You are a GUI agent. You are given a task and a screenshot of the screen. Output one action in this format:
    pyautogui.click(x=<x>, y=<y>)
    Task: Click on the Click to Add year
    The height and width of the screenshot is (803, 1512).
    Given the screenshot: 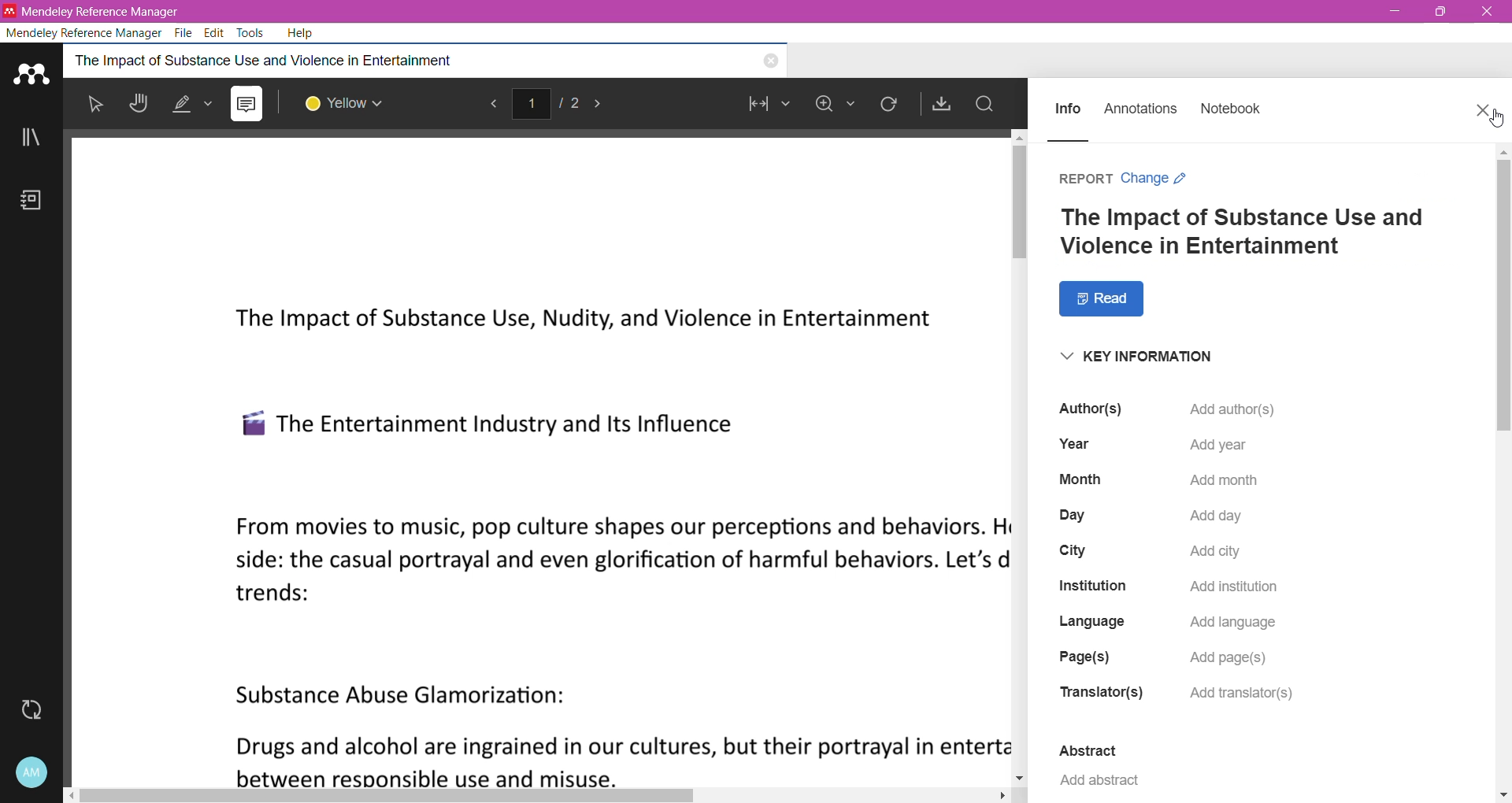 What is the action you would take?
    pyautogui.click(x=1225, y=445)
    